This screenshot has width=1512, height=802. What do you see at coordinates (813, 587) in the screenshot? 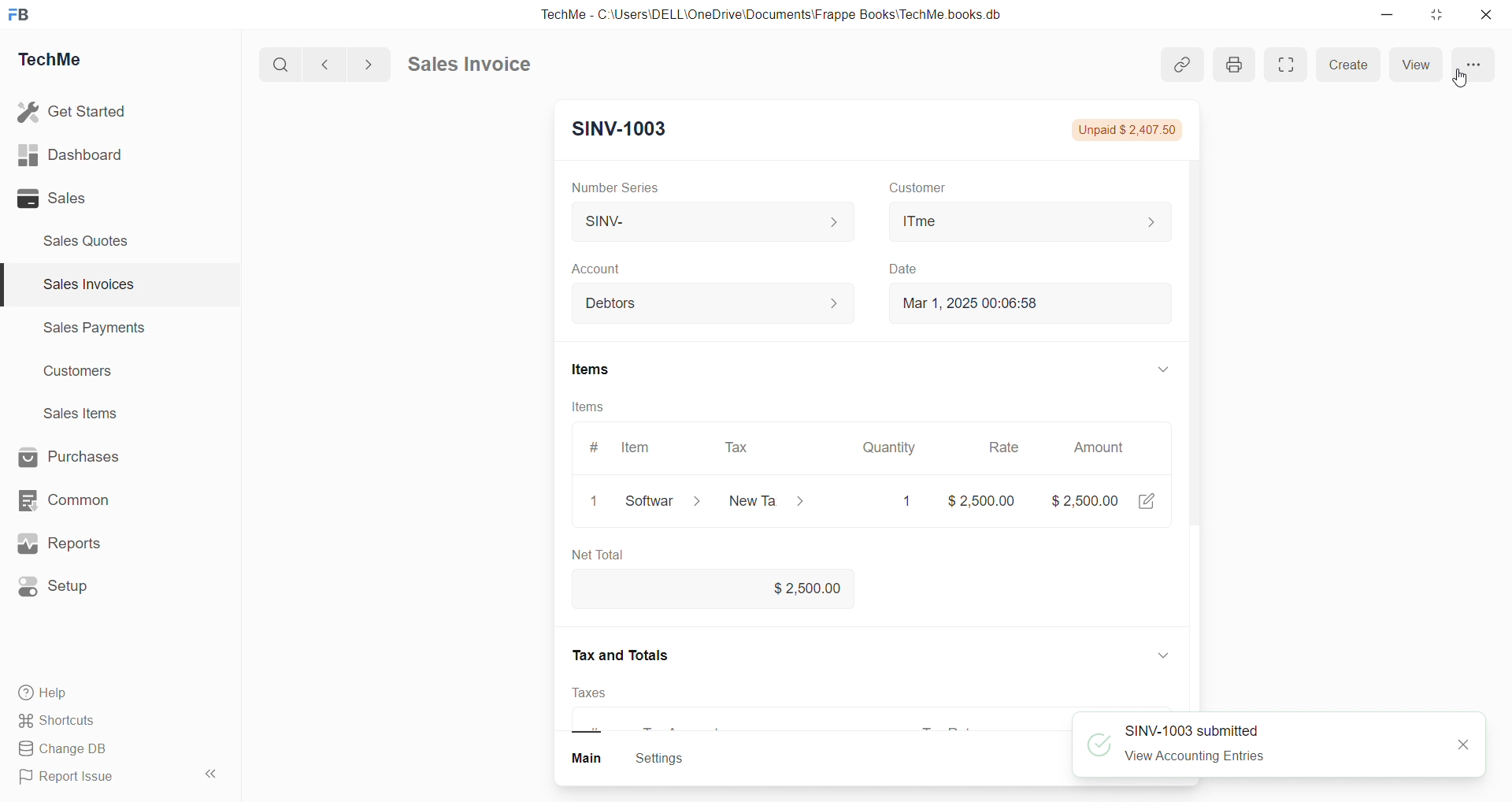
I see `$2,500.00` at bounding box center [813, 587].